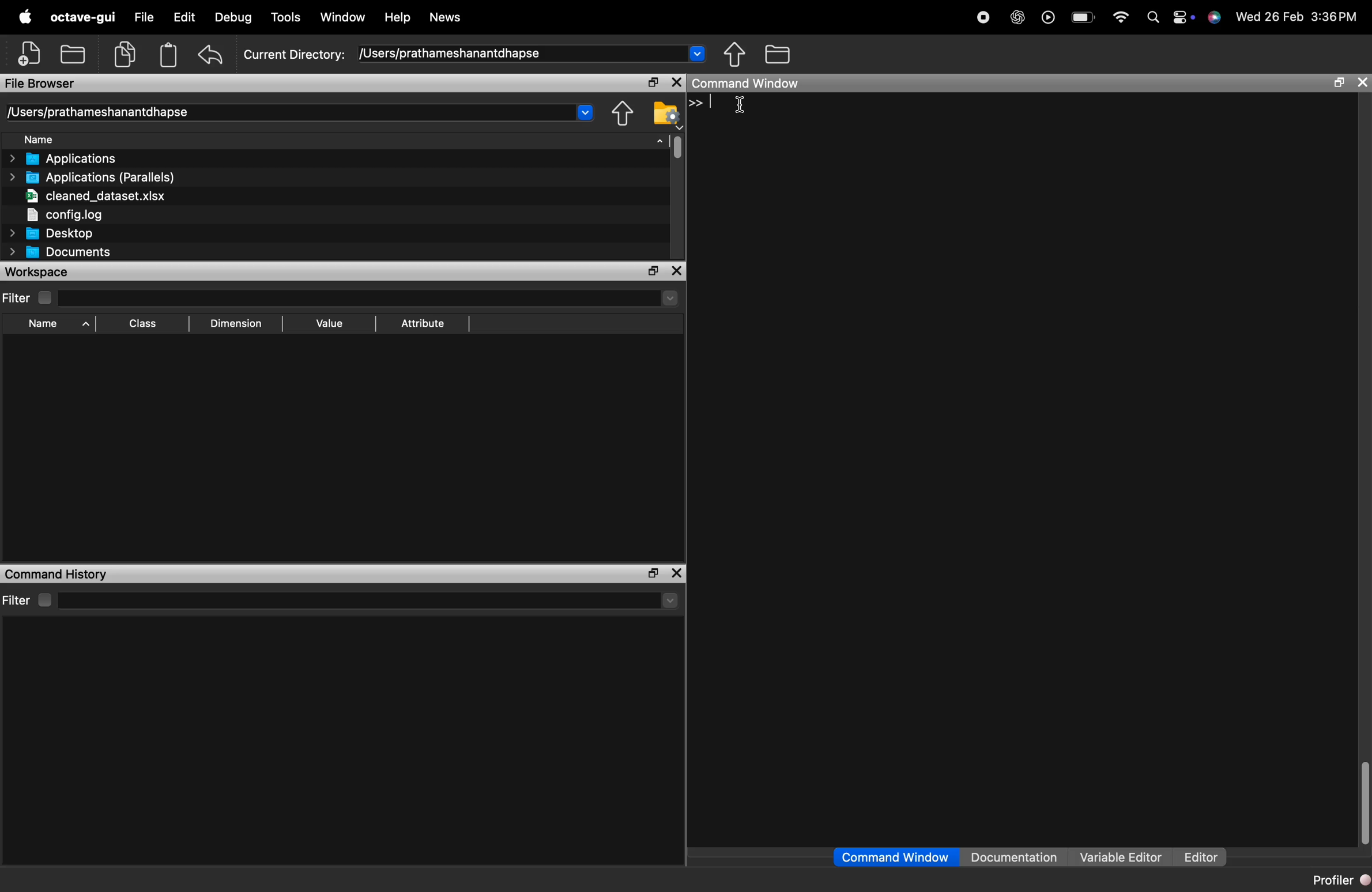 This screenshot has height=892, width=1372. Describe the element at coordinates (326, 326) in the screenshot. I see `Value` at that location.